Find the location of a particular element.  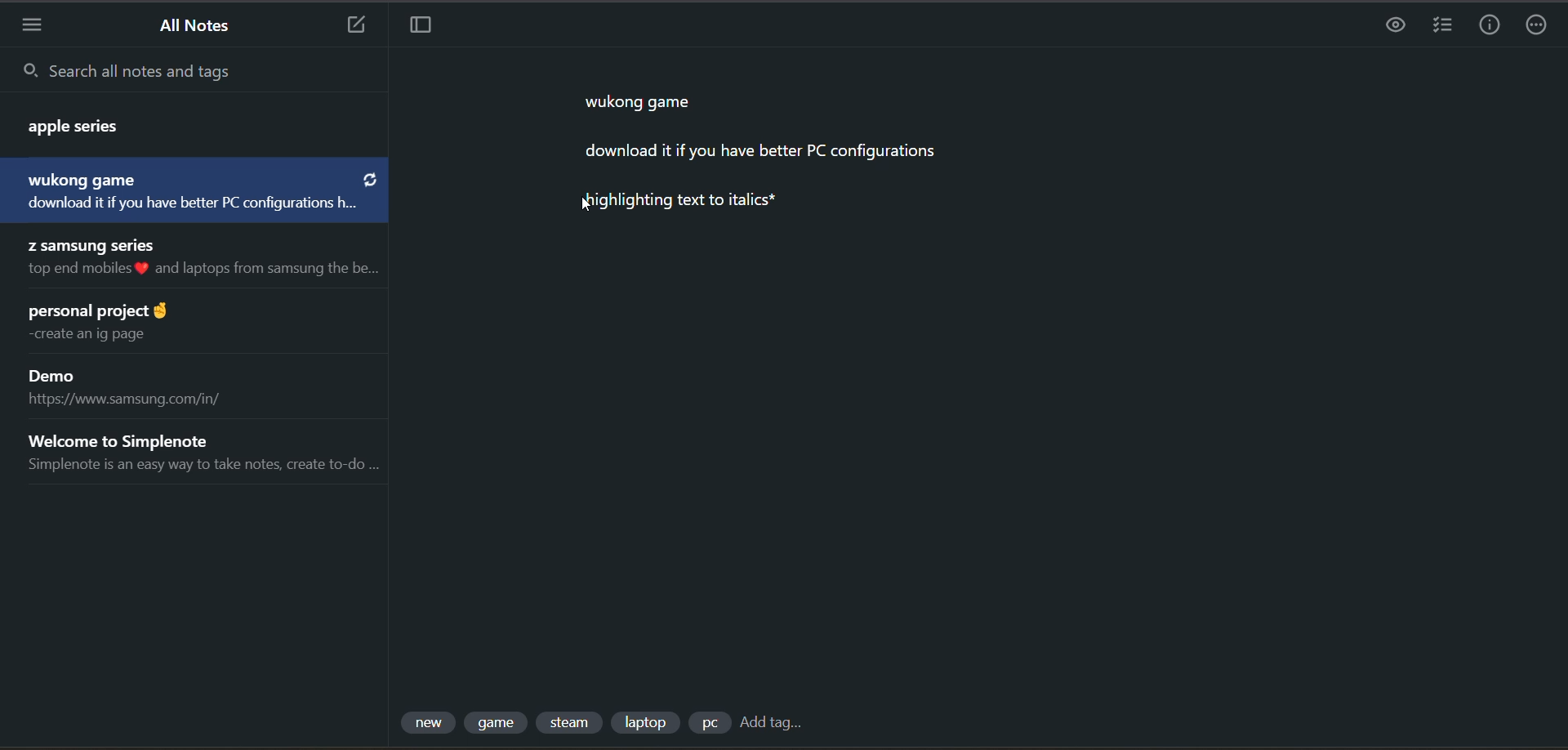

tag 1 is located at coordinates (430, 723).